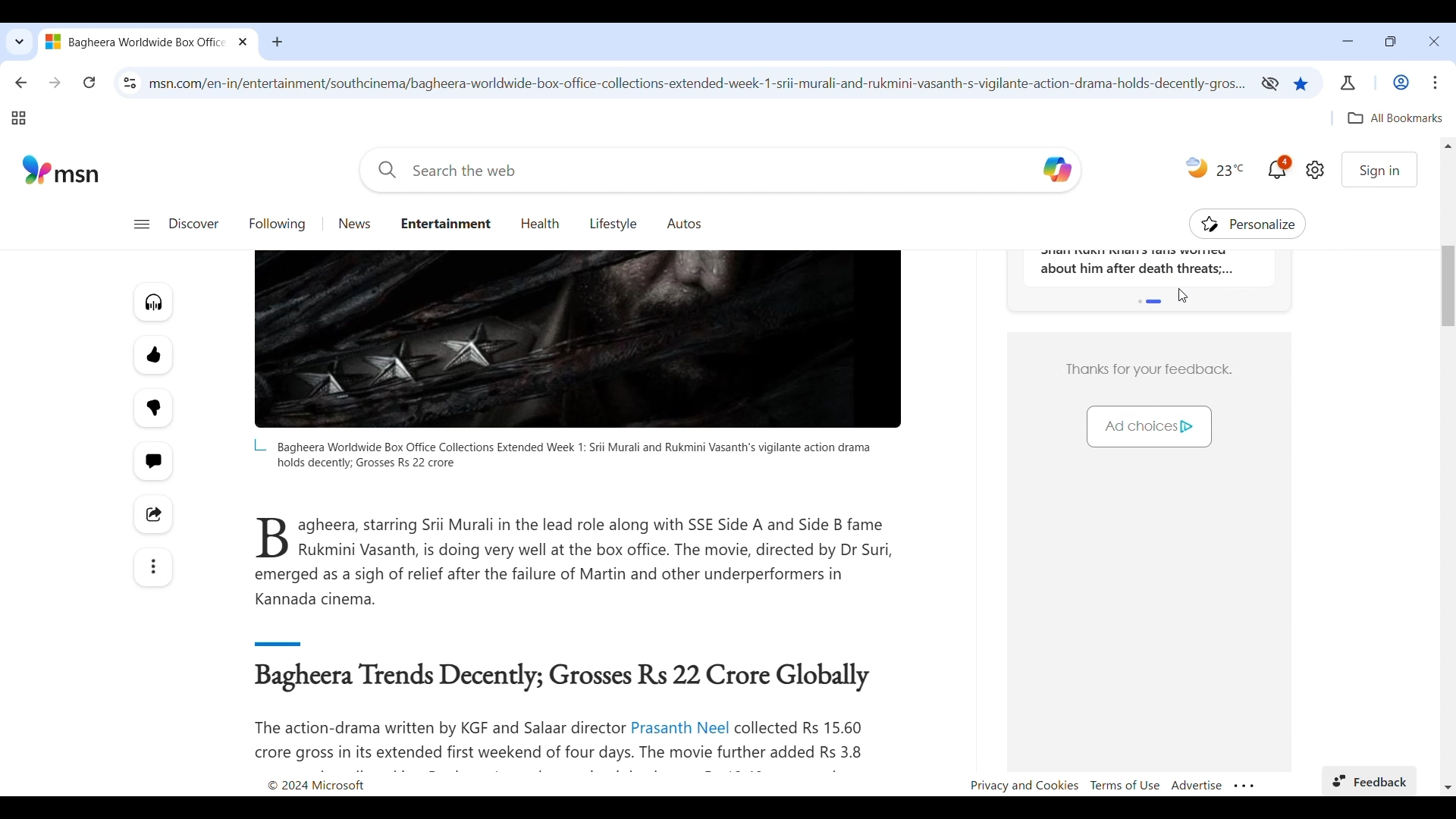 This screenshot has width=1456, height=819. I want to click on Tag line of image, so click(576, 454).